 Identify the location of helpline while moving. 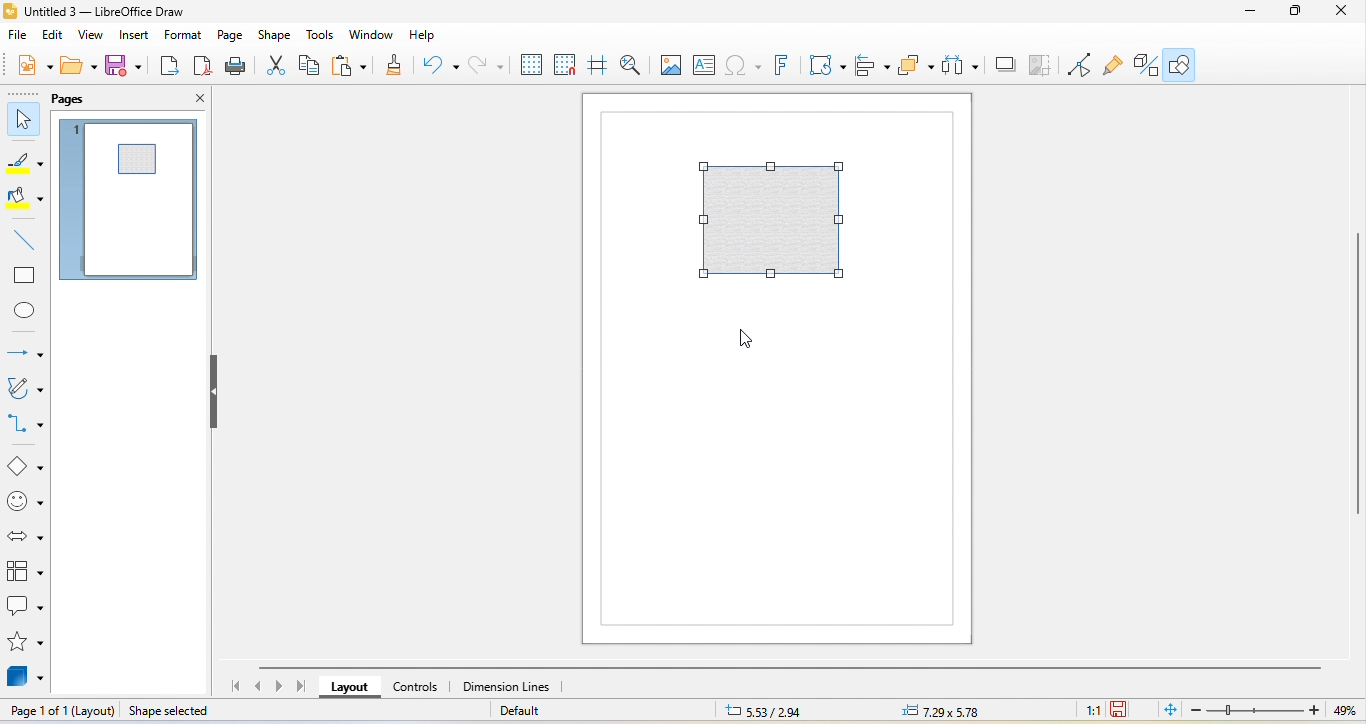
(598, 67).